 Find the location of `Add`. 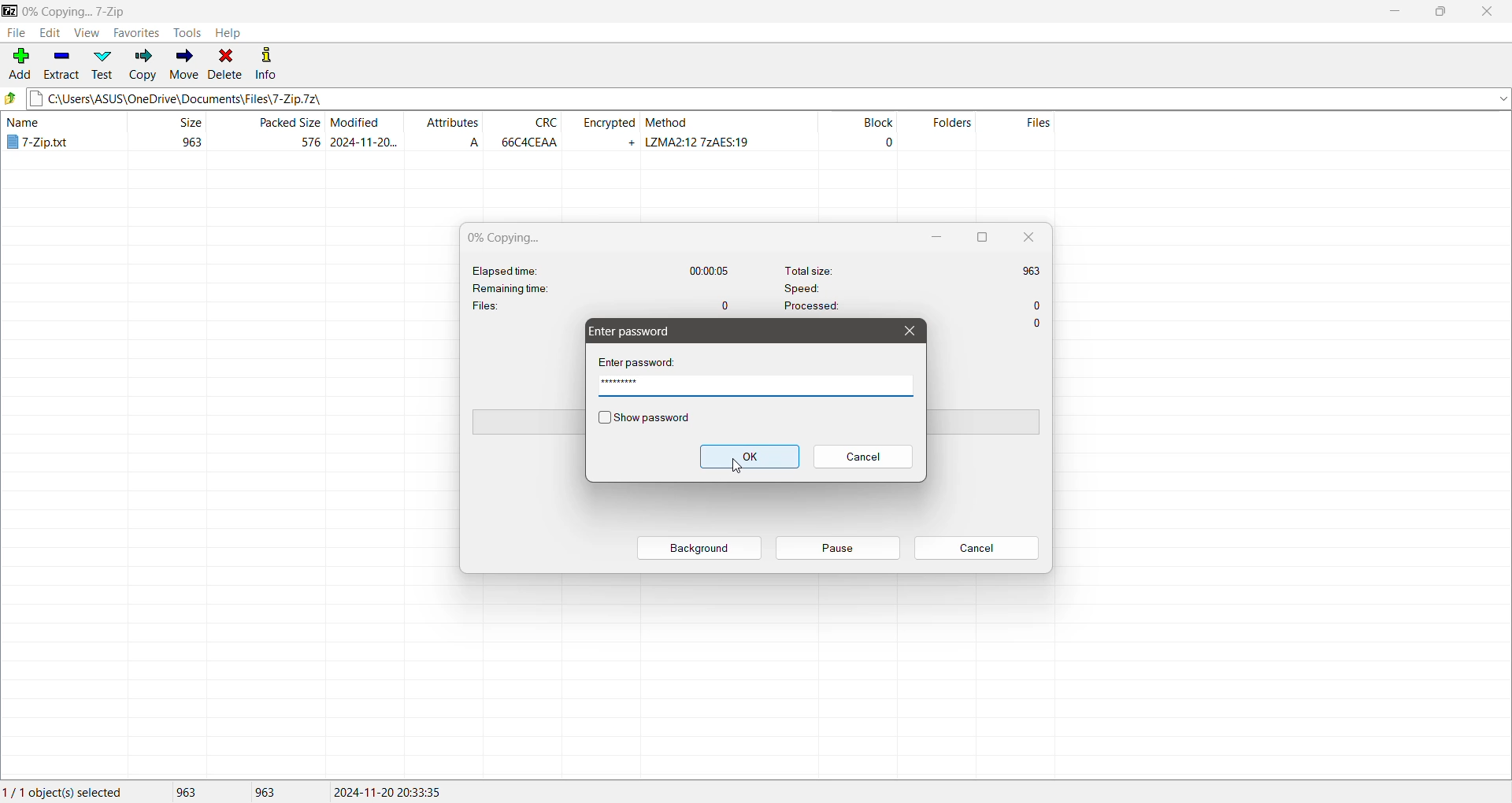

Add is located at coordinates (19, 65).